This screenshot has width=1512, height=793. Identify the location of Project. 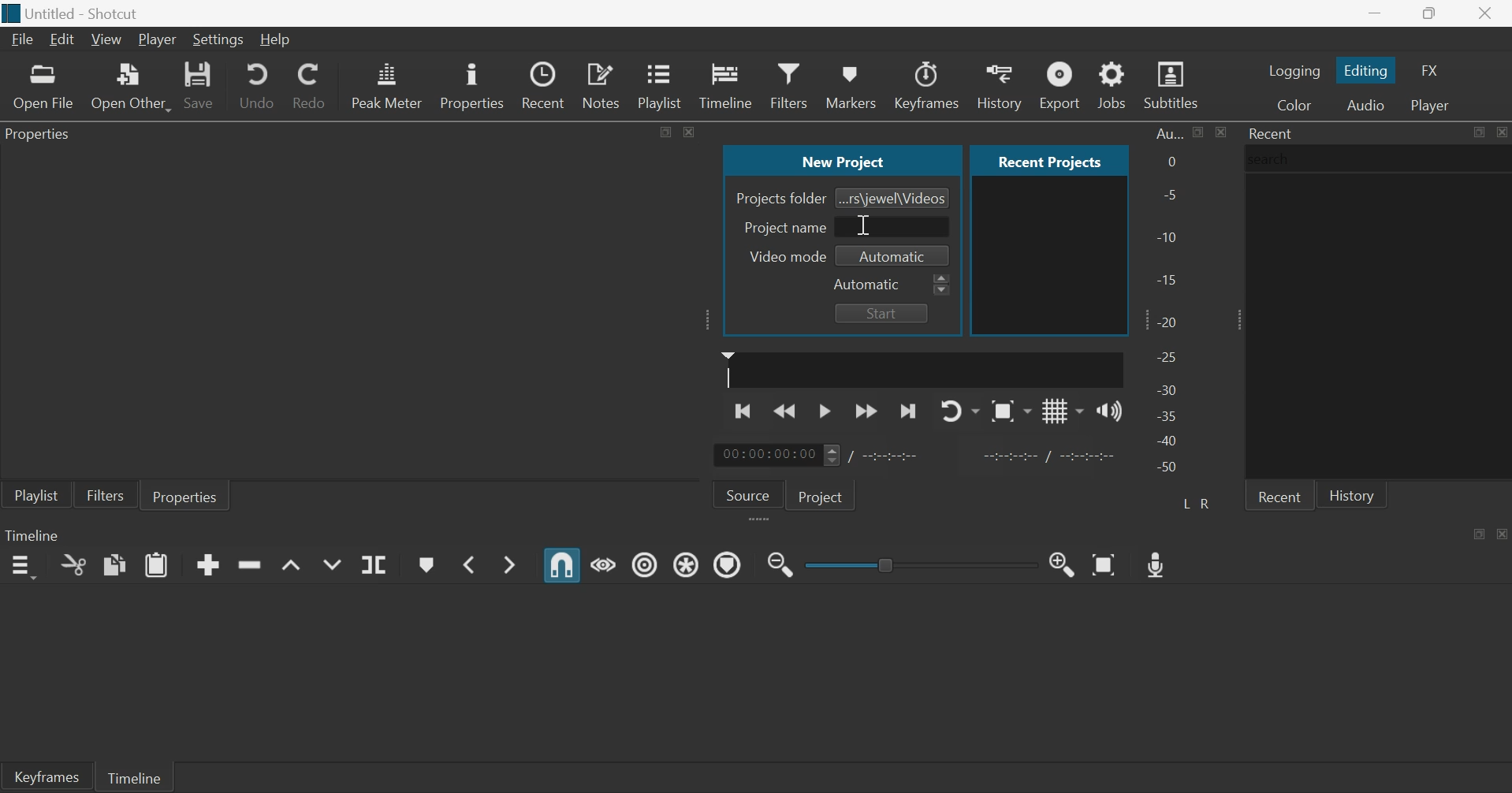
(823, 495).